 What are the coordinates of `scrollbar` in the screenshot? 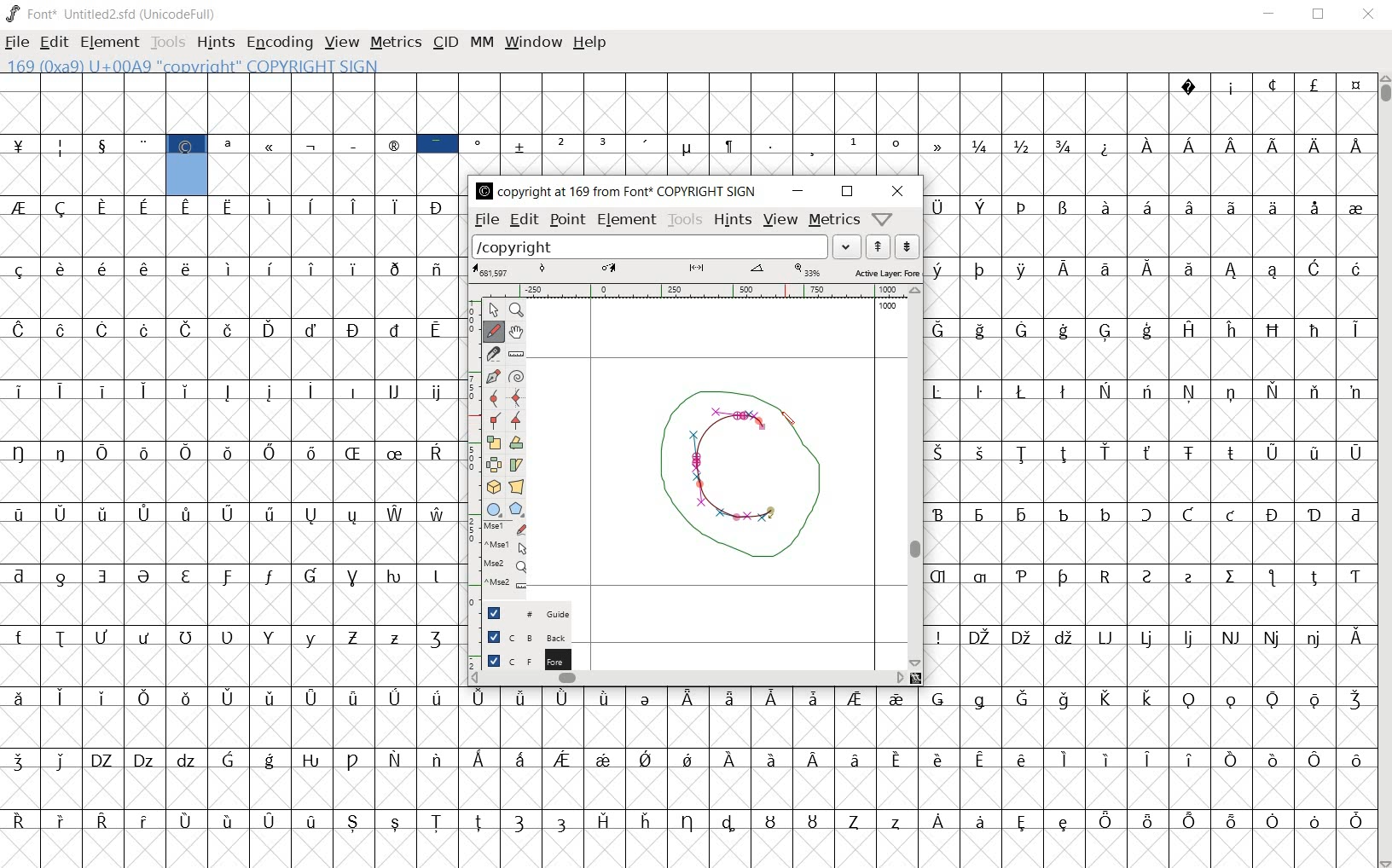 It's located at (915, 478).